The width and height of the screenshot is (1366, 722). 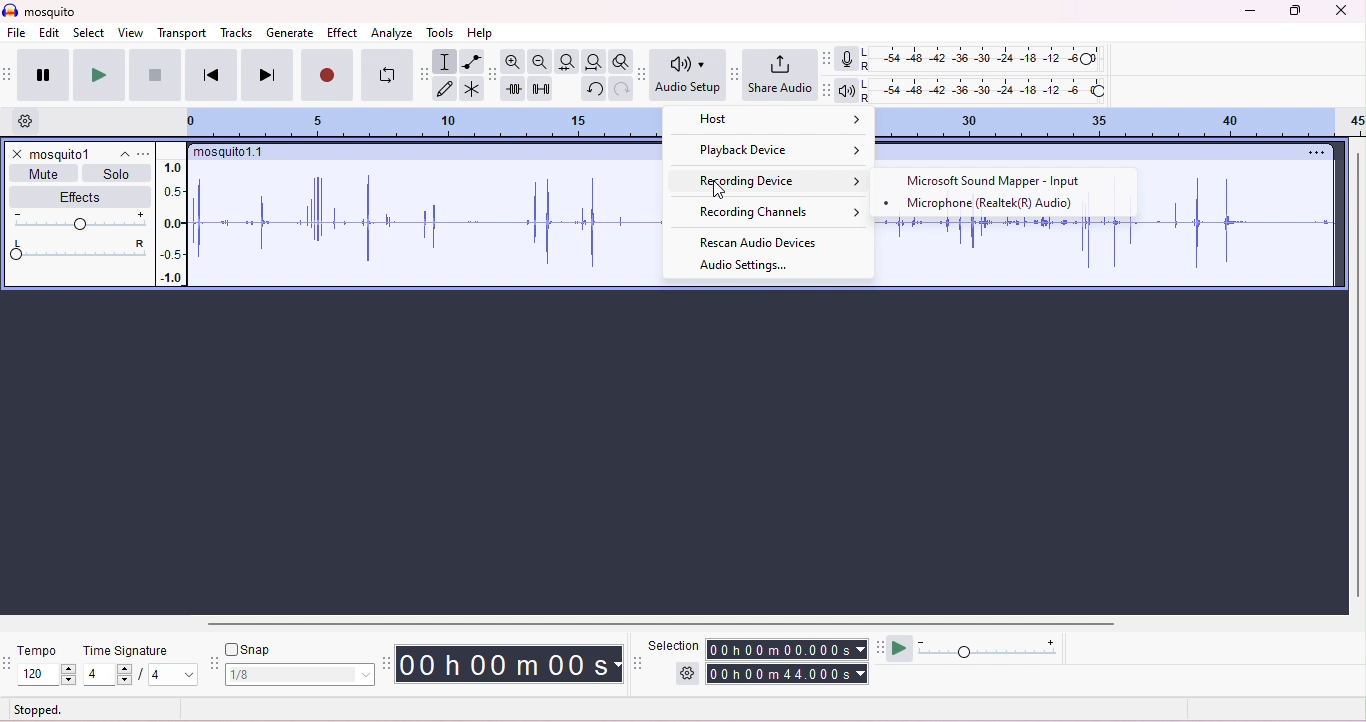 What do you see at coordinates (9, 74) in the screenshot?
I see `toolbar` at bounding box center [9, 74].